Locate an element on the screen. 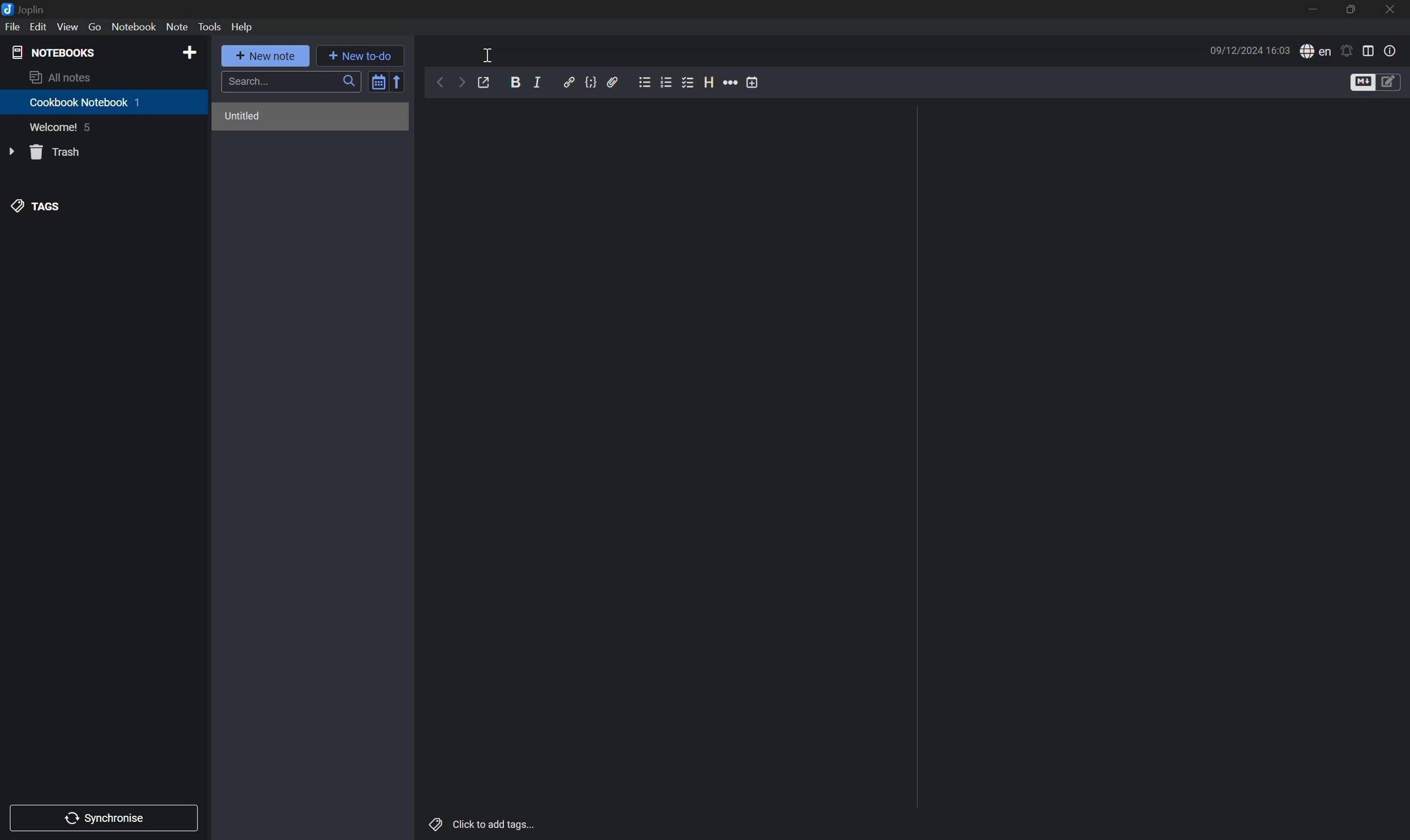 Image resolution: width=1410 pixels, height=840 pixels. Restore Down is located at coordinates (1349, 12).